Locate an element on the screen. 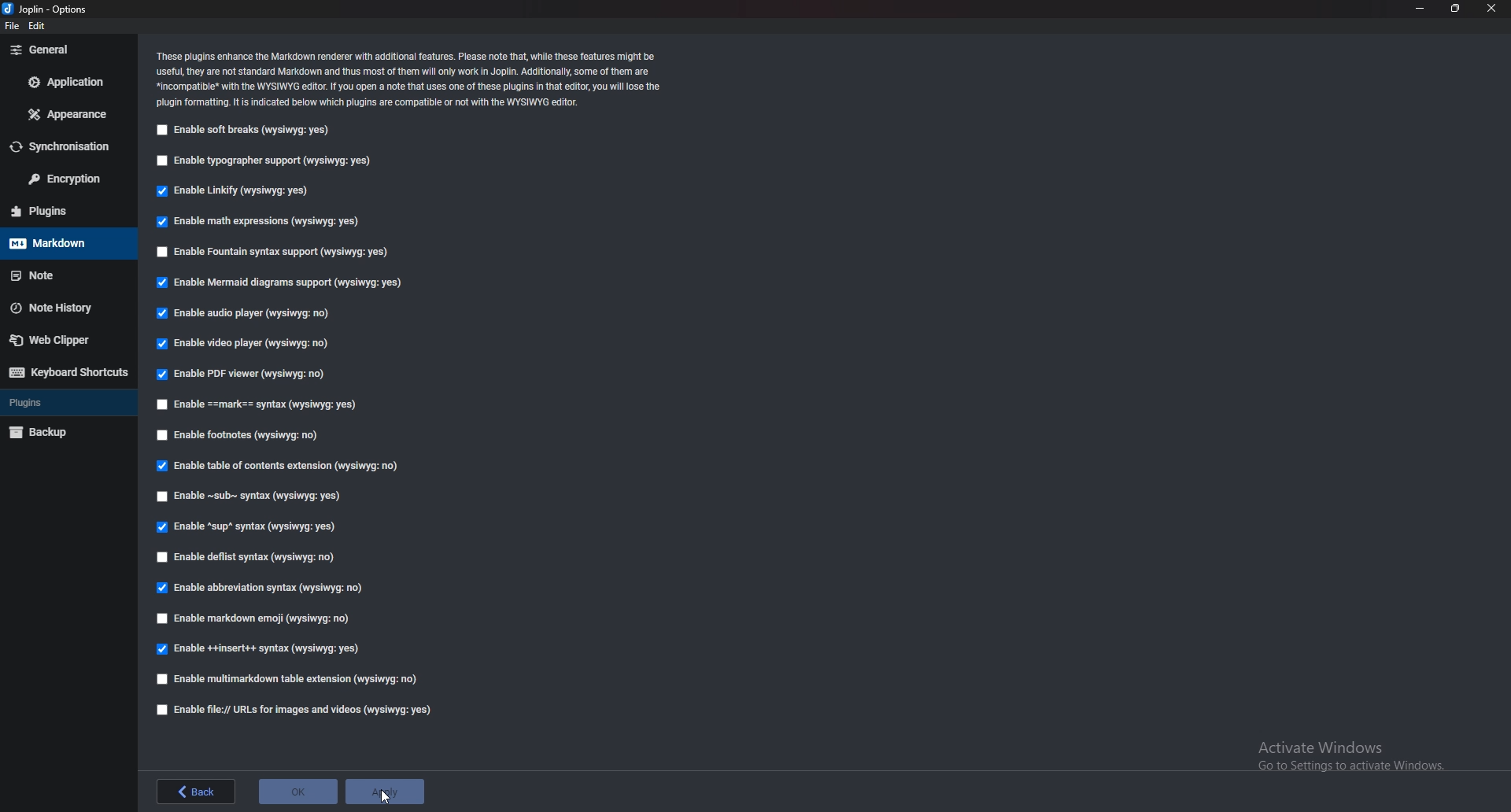 The image size is (1511, 812). backup is located at coordinates (65, 430).